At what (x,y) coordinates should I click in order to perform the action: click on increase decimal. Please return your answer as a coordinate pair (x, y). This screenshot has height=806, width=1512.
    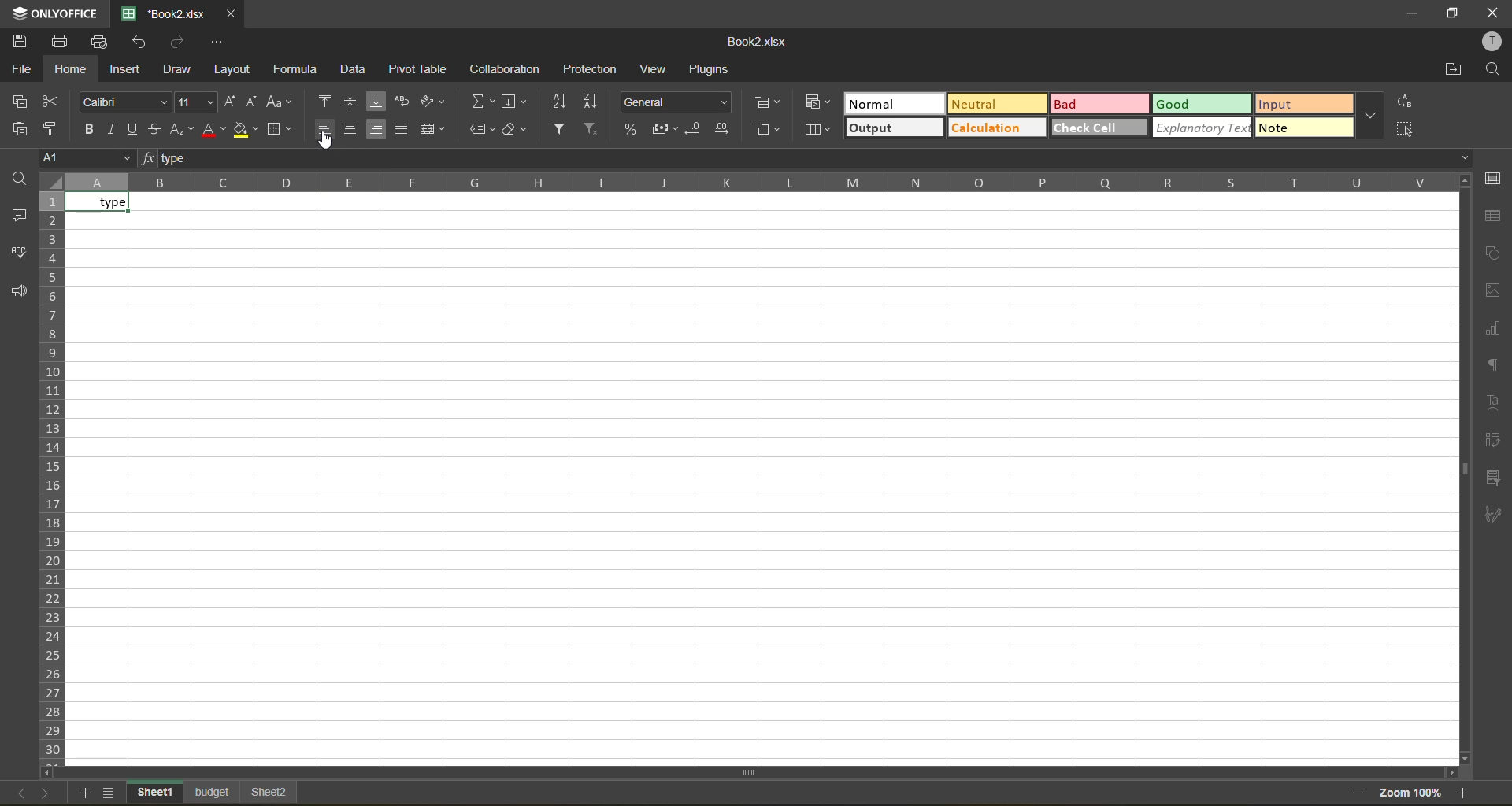
    Looking at the image, I should click on (724, 131).